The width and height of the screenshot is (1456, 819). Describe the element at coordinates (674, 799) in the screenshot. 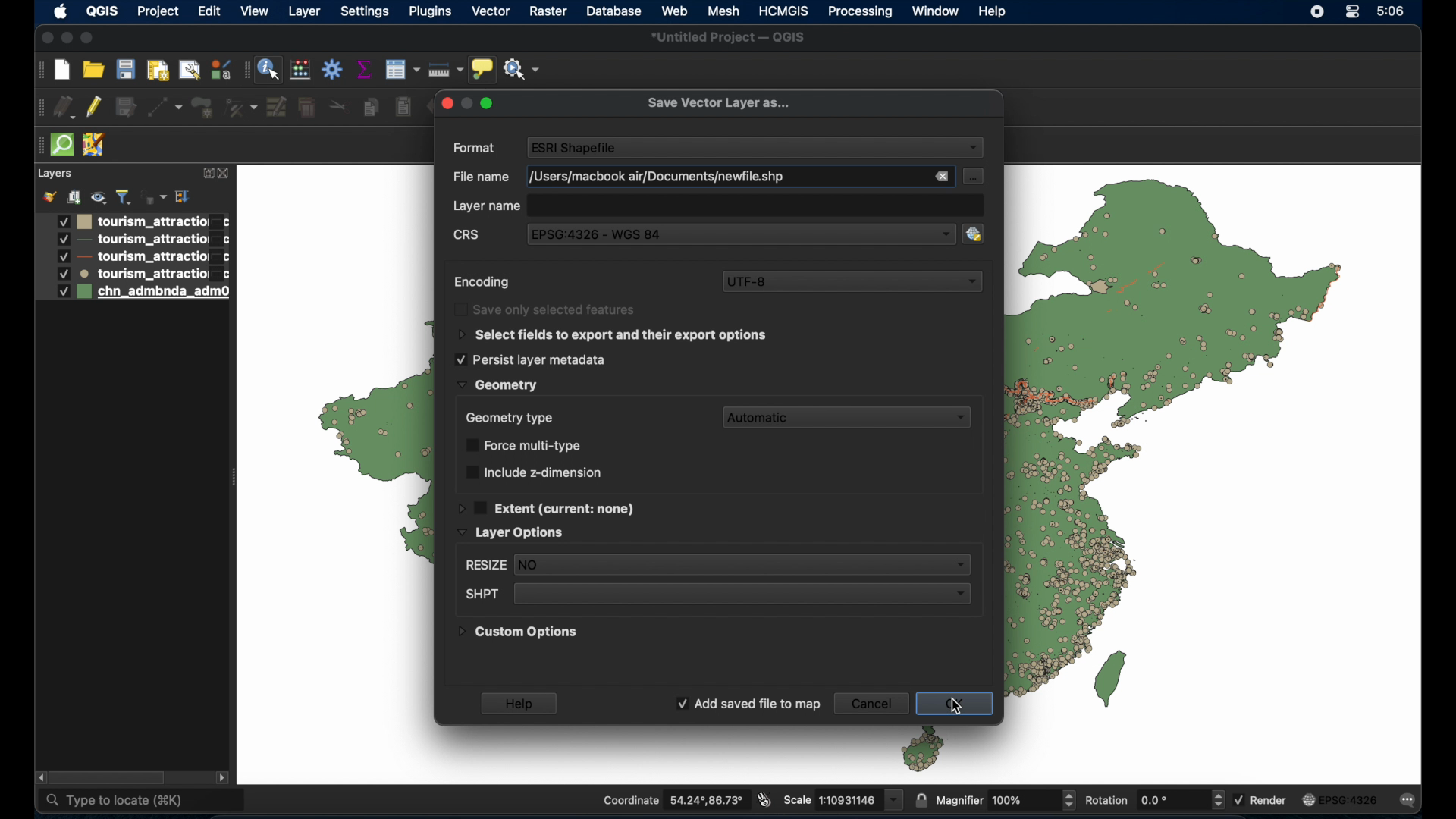

I see `coordinate` at that location.